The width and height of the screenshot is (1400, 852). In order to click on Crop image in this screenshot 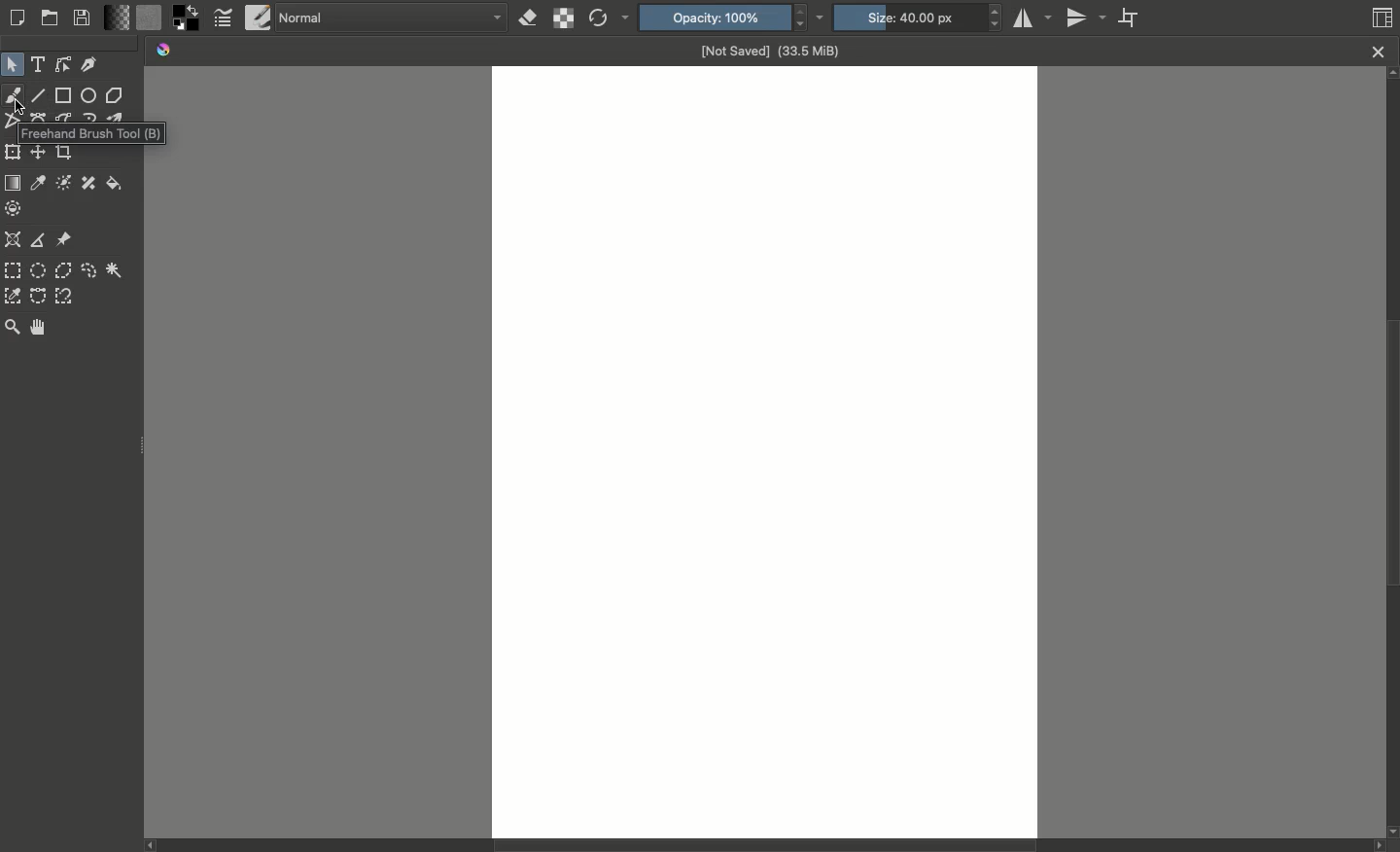, I will do `click(64, 154)`.